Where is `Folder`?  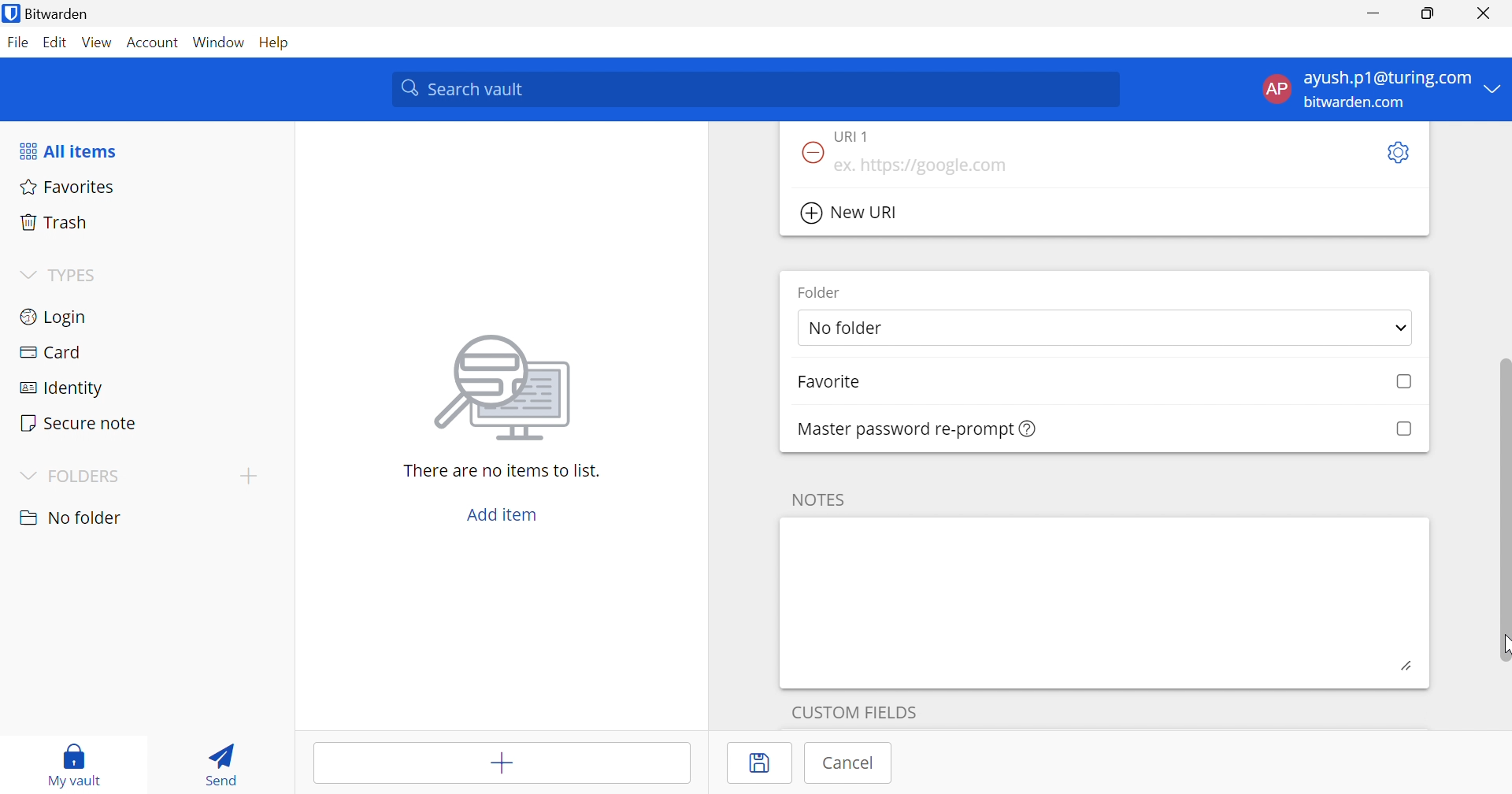
Folder is located at coordinates (820, 291).